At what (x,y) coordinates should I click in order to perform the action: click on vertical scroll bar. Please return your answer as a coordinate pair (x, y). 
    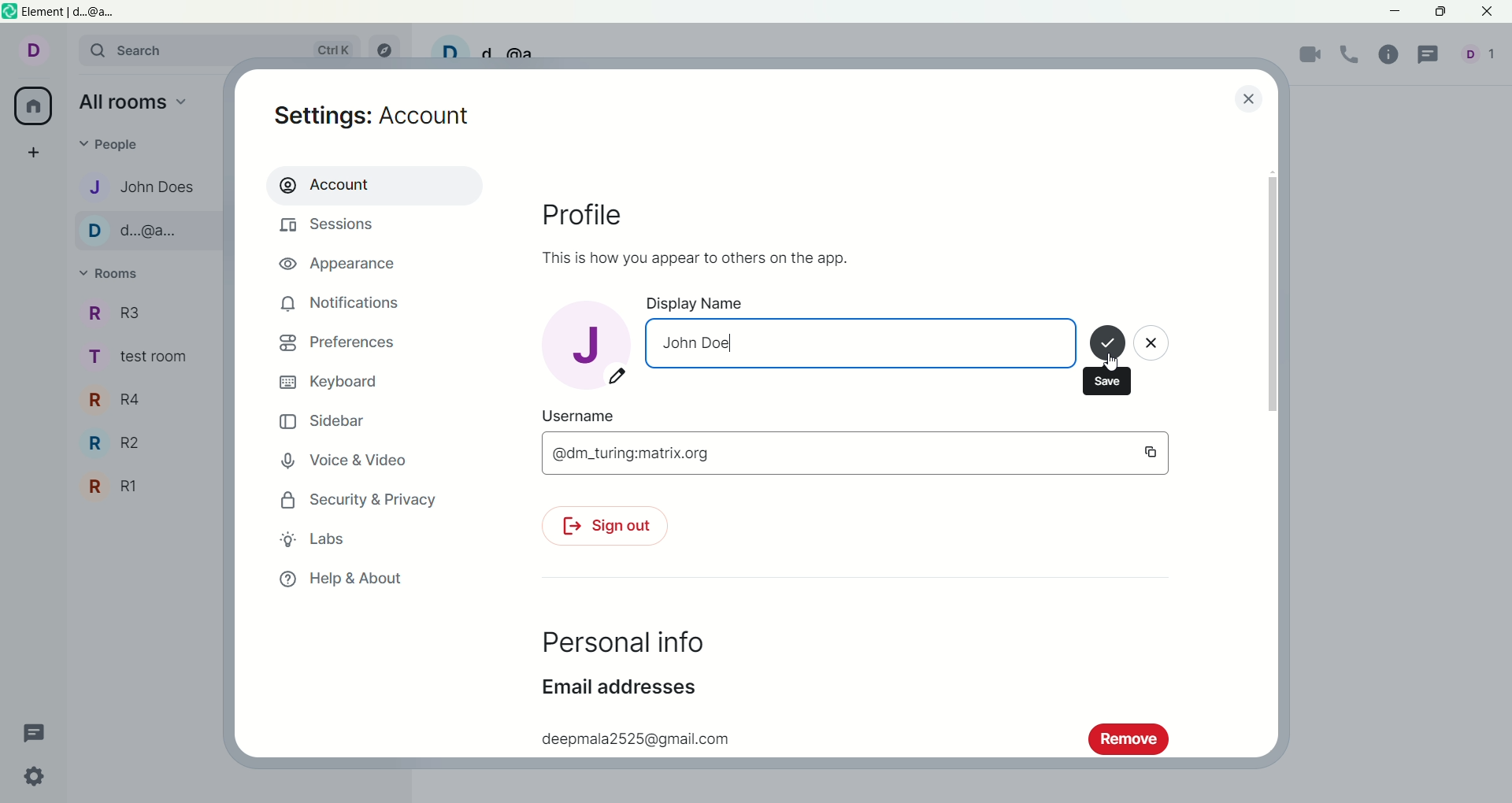
    Looking at the image, I should click on (1274, 455).